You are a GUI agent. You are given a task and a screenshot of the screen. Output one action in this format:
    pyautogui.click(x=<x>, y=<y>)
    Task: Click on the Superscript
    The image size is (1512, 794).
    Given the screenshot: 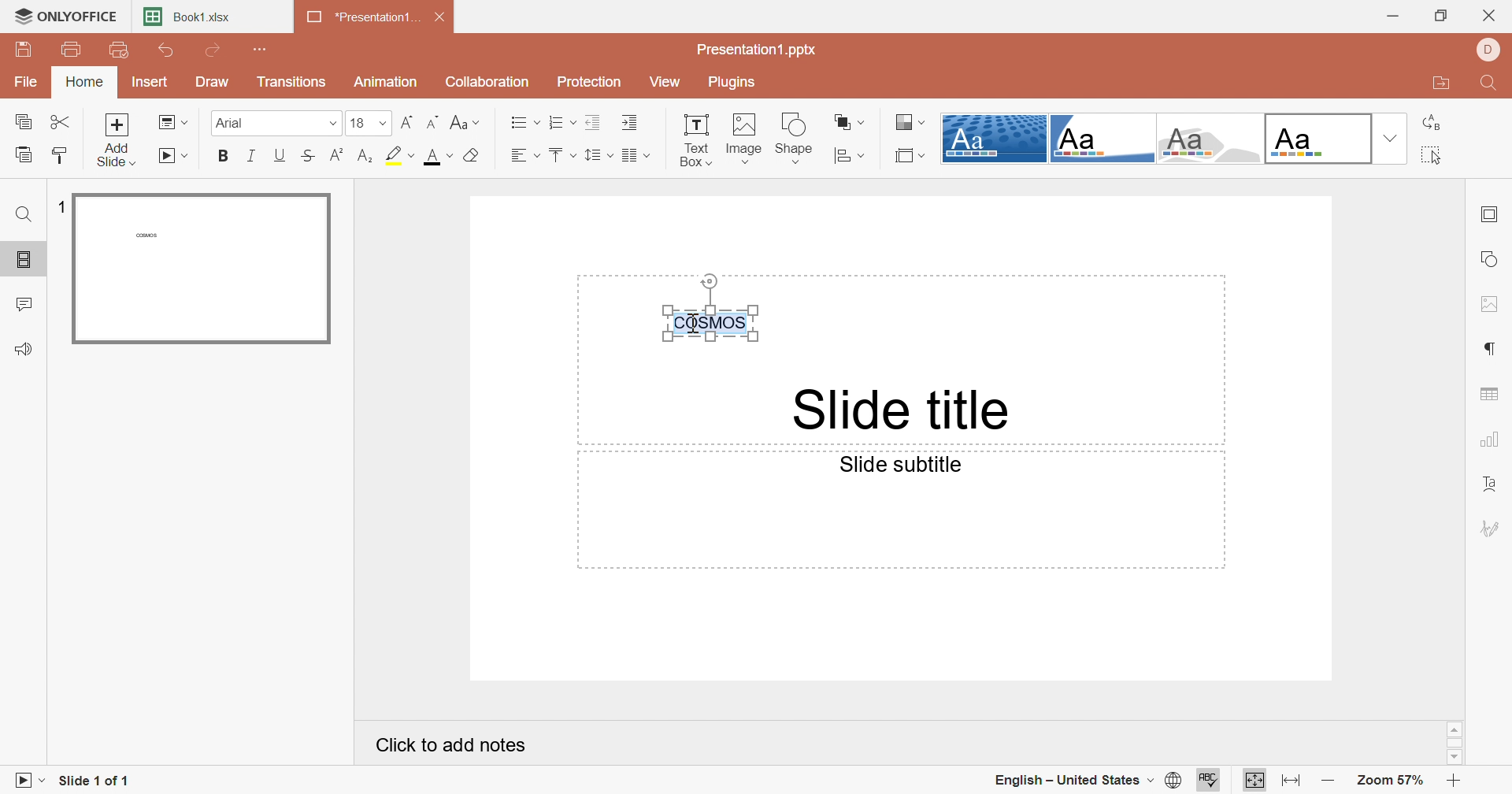 What is the action you would take?
    pyautogui.click(x=335, y=157)
    